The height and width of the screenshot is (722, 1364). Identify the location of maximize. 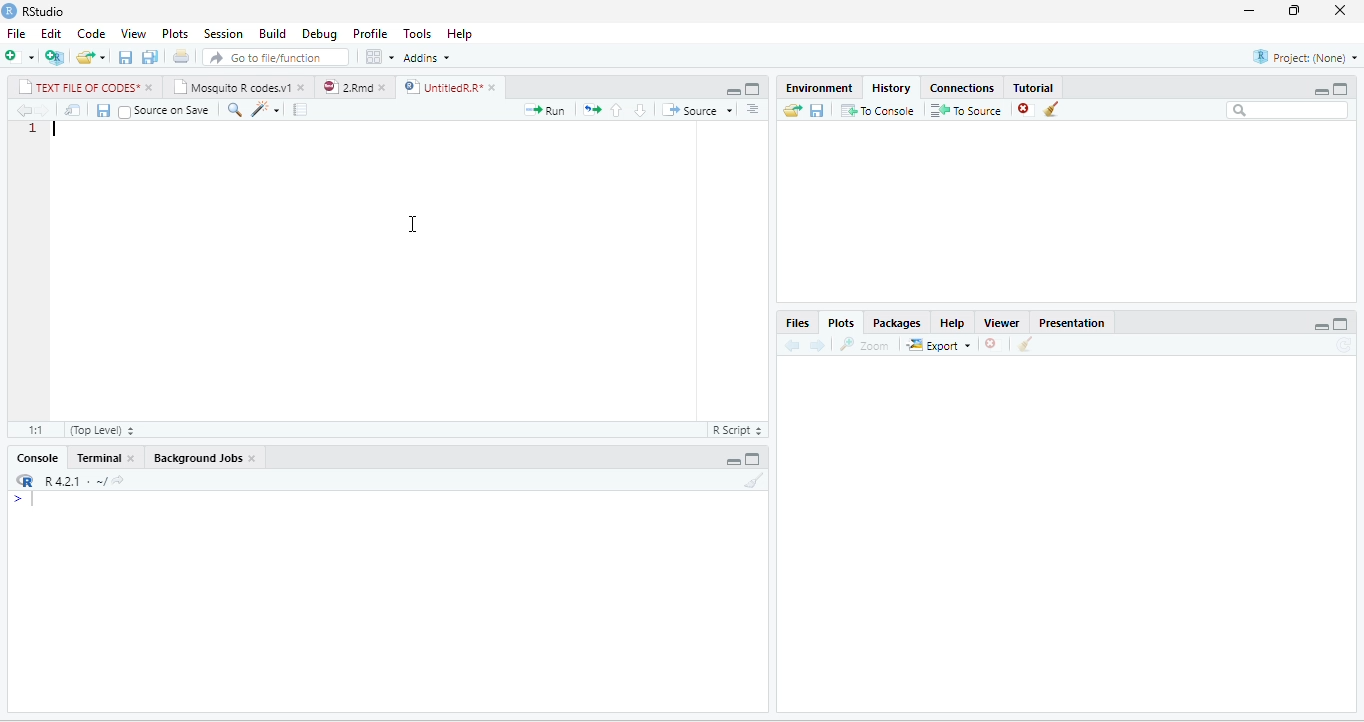
(1341, 324).